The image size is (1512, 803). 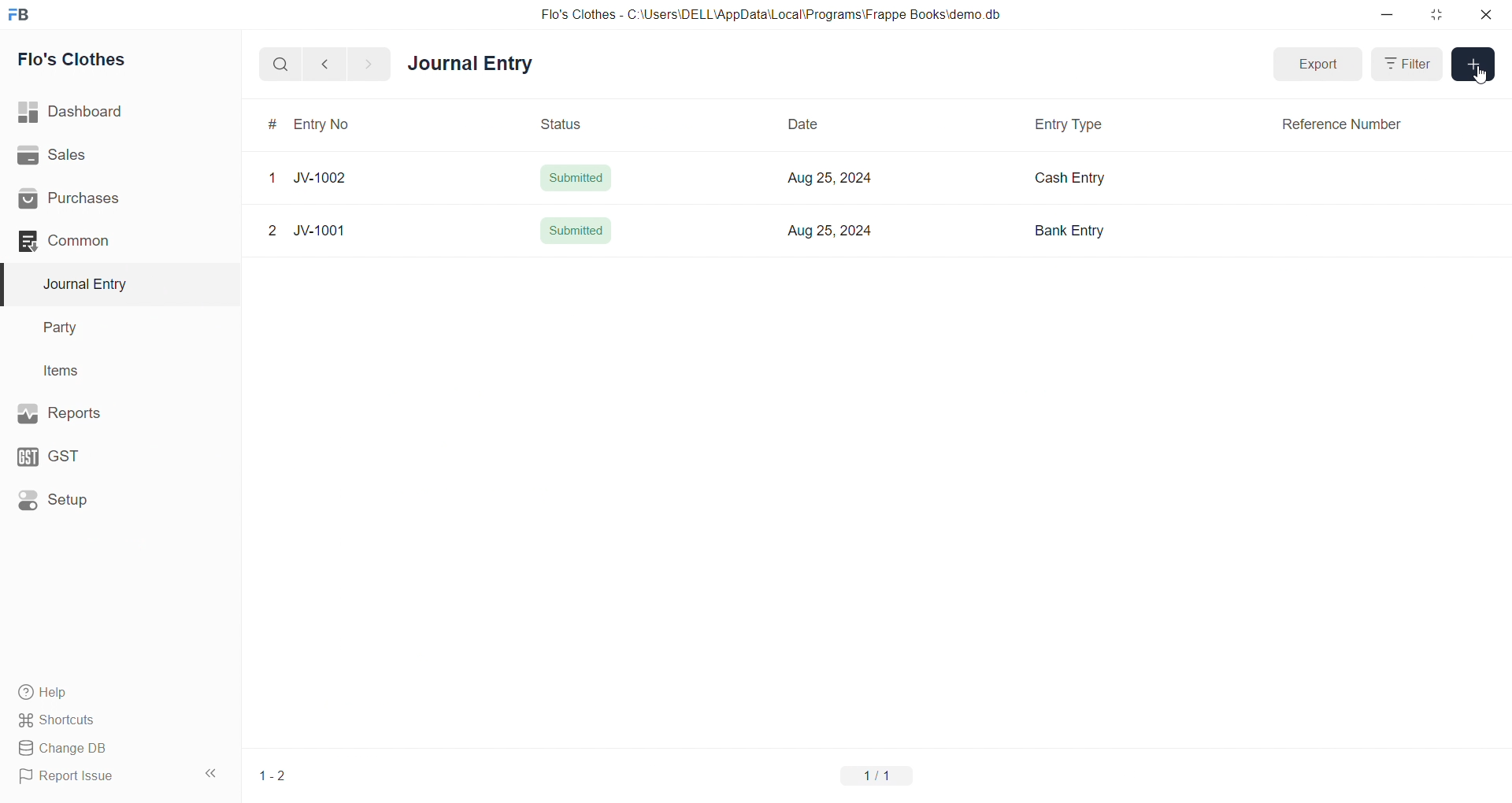 I want to click on Change DB, so click(x=113, y=749).